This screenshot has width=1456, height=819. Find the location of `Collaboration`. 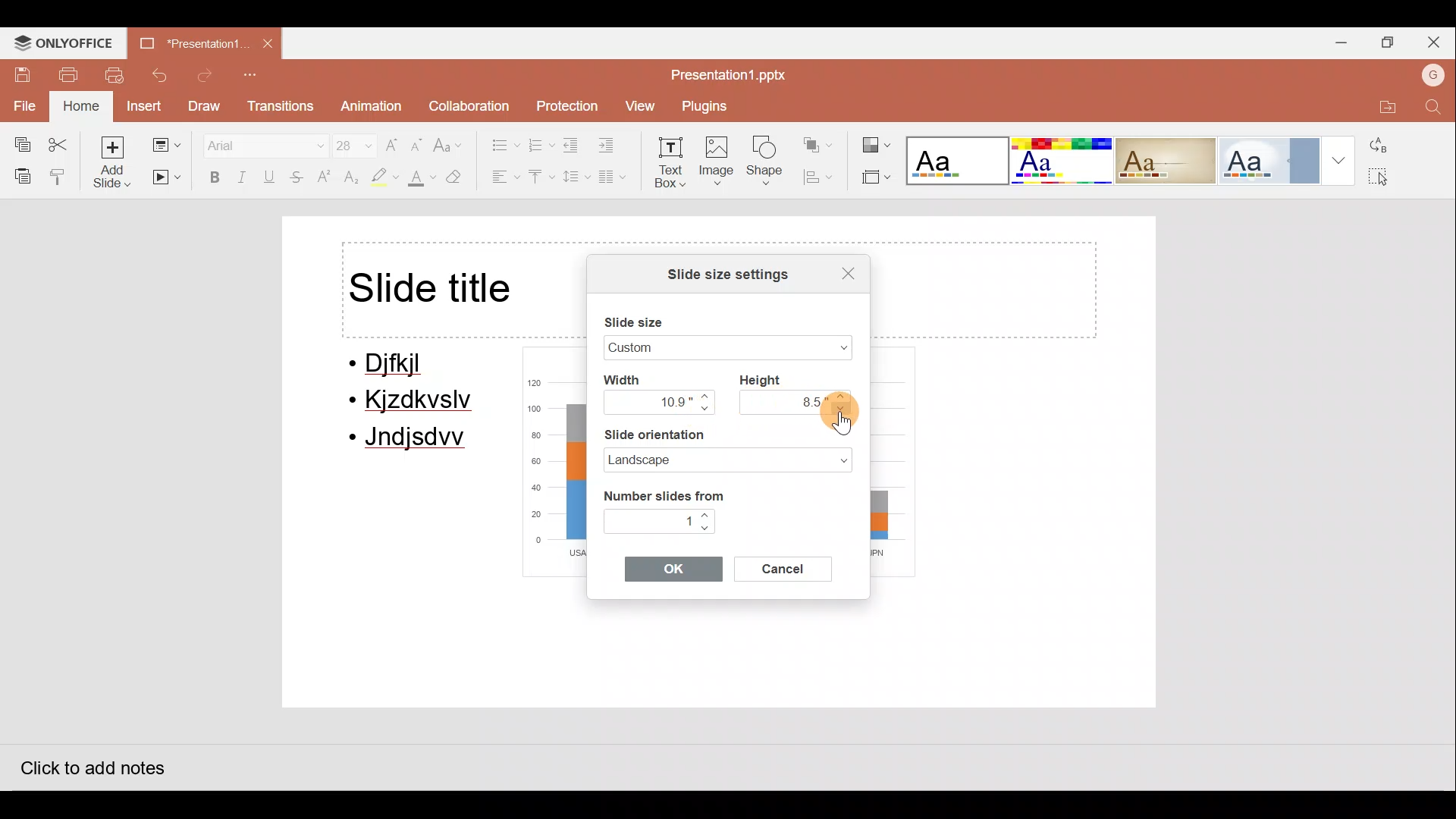

Collaboration is located at coordinates (468, 102).